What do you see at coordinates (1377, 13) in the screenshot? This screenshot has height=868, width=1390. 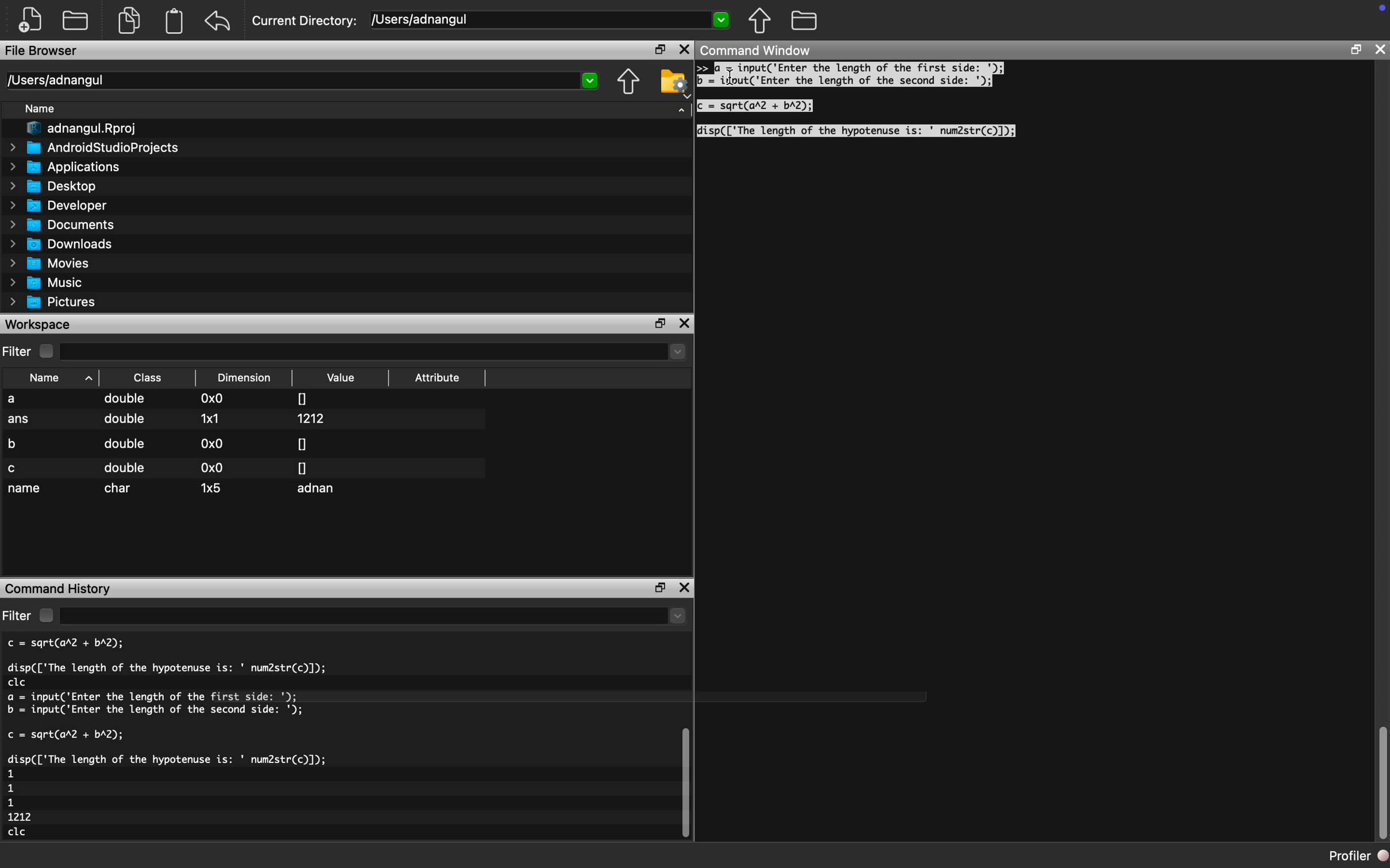 I see `icon` at bounding box center [1377, 13].